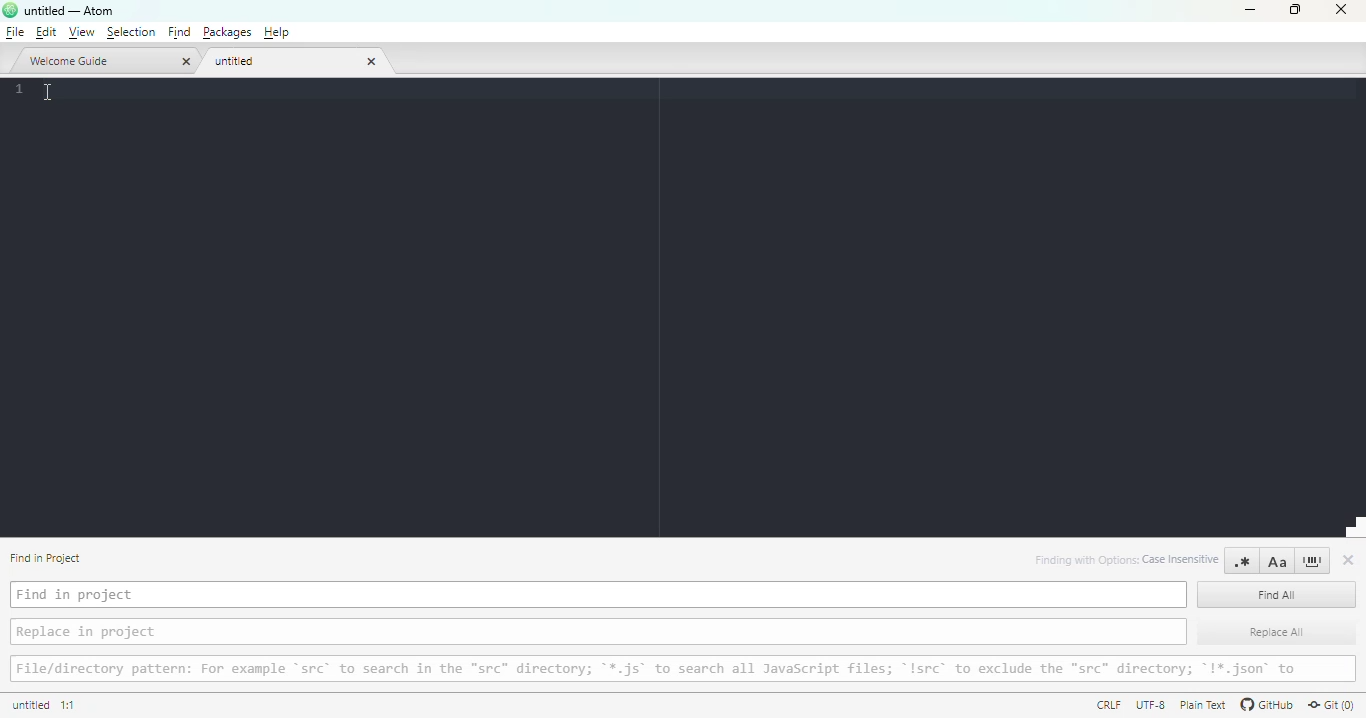  I want to click on find, so click(179, 32).